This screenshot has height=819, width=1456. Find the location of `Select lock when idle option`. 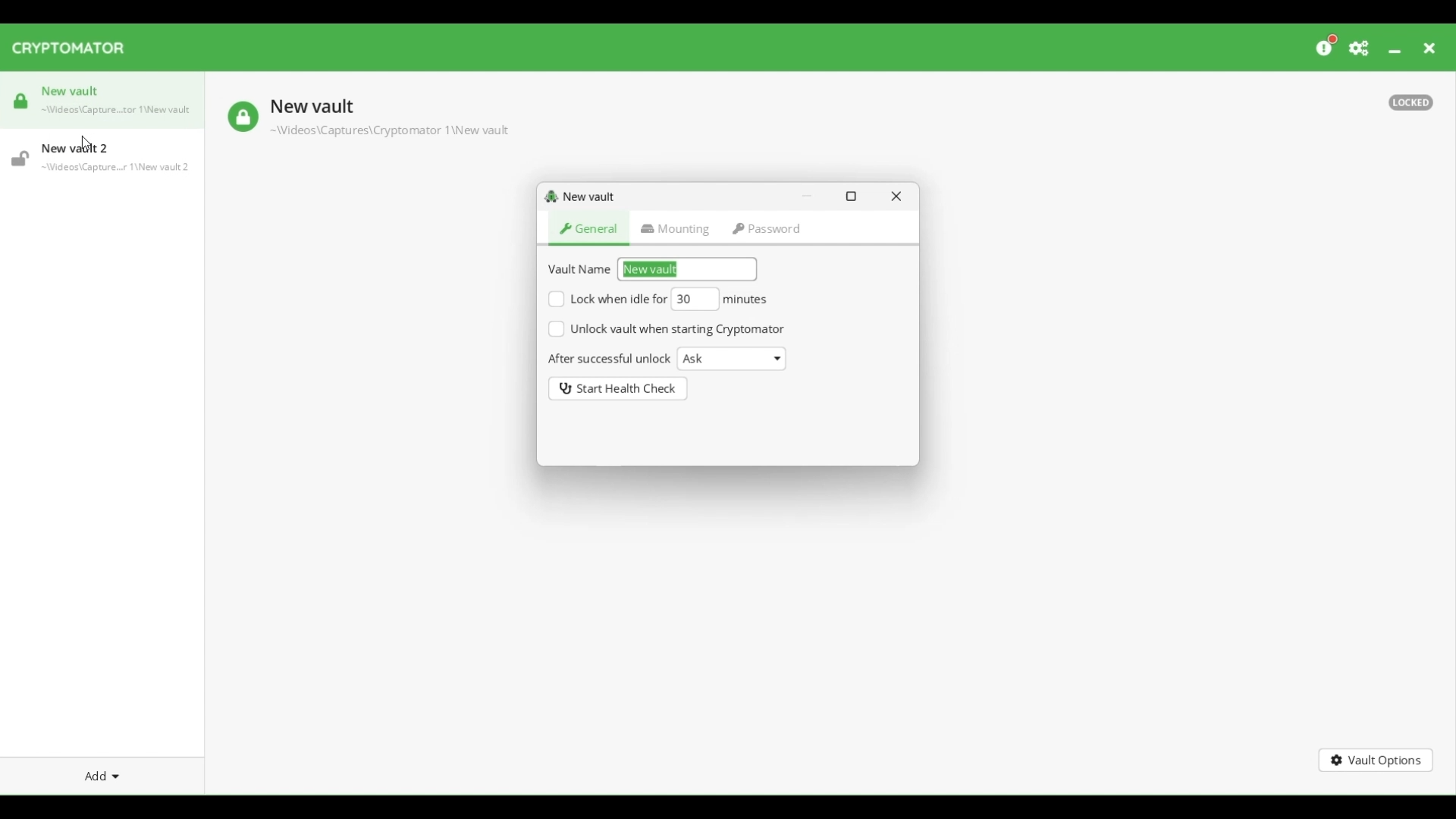

Select lock when idle option is located at coordinates (607, 299).